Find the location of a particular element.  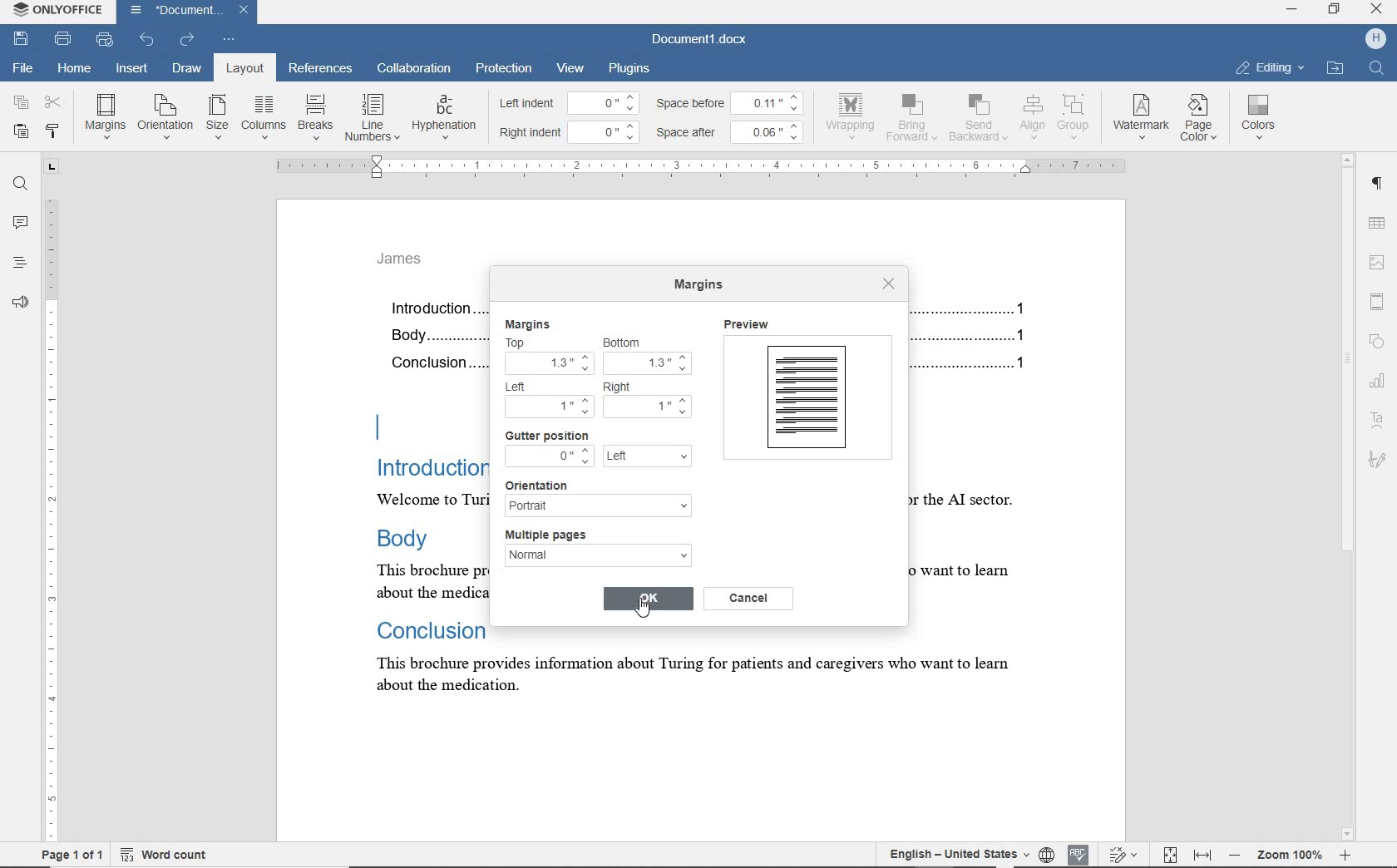

ruler is located at coordinates (704, 166).